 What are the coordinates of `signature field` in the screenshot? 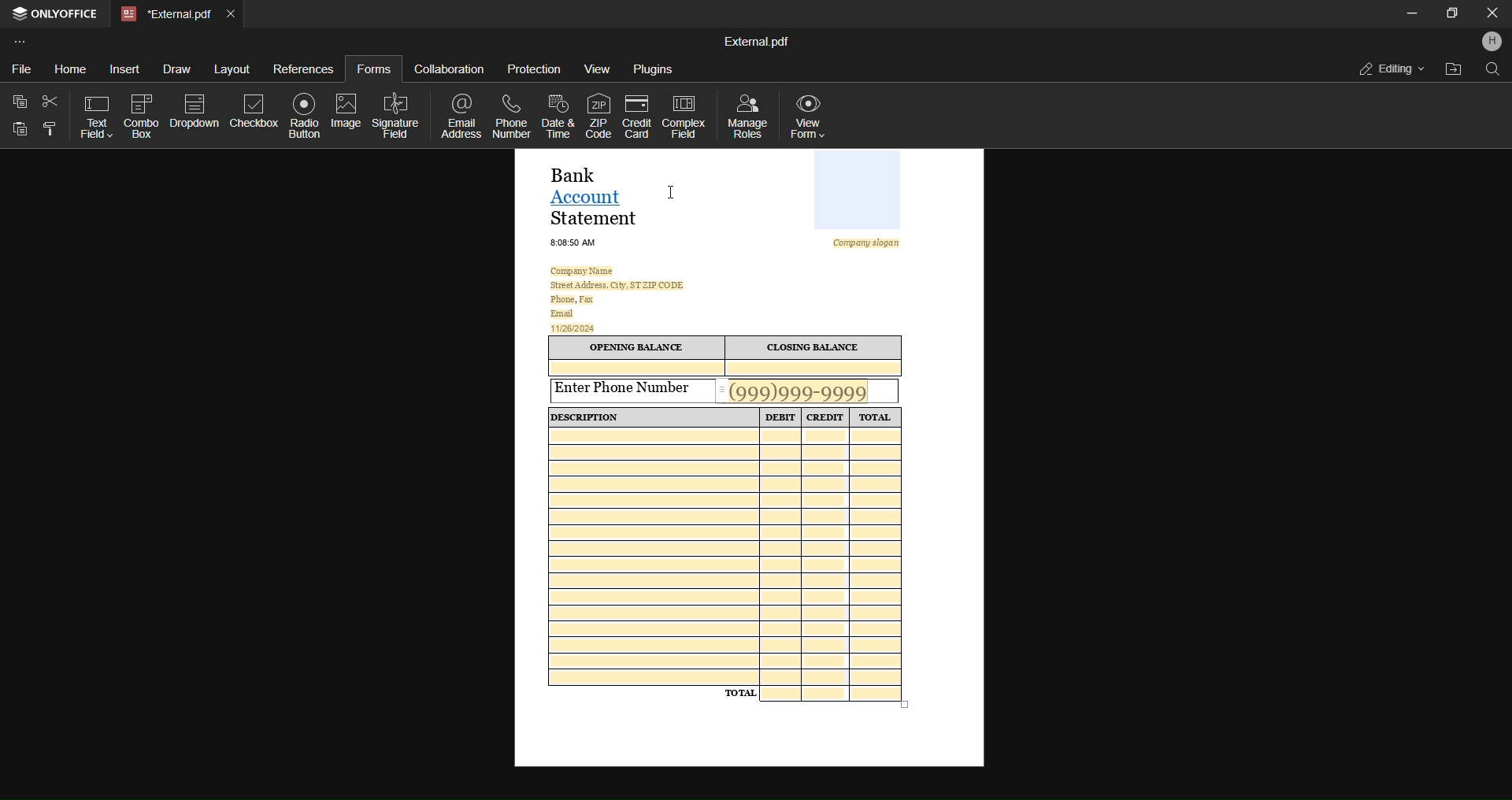 It's located at (396, 116).